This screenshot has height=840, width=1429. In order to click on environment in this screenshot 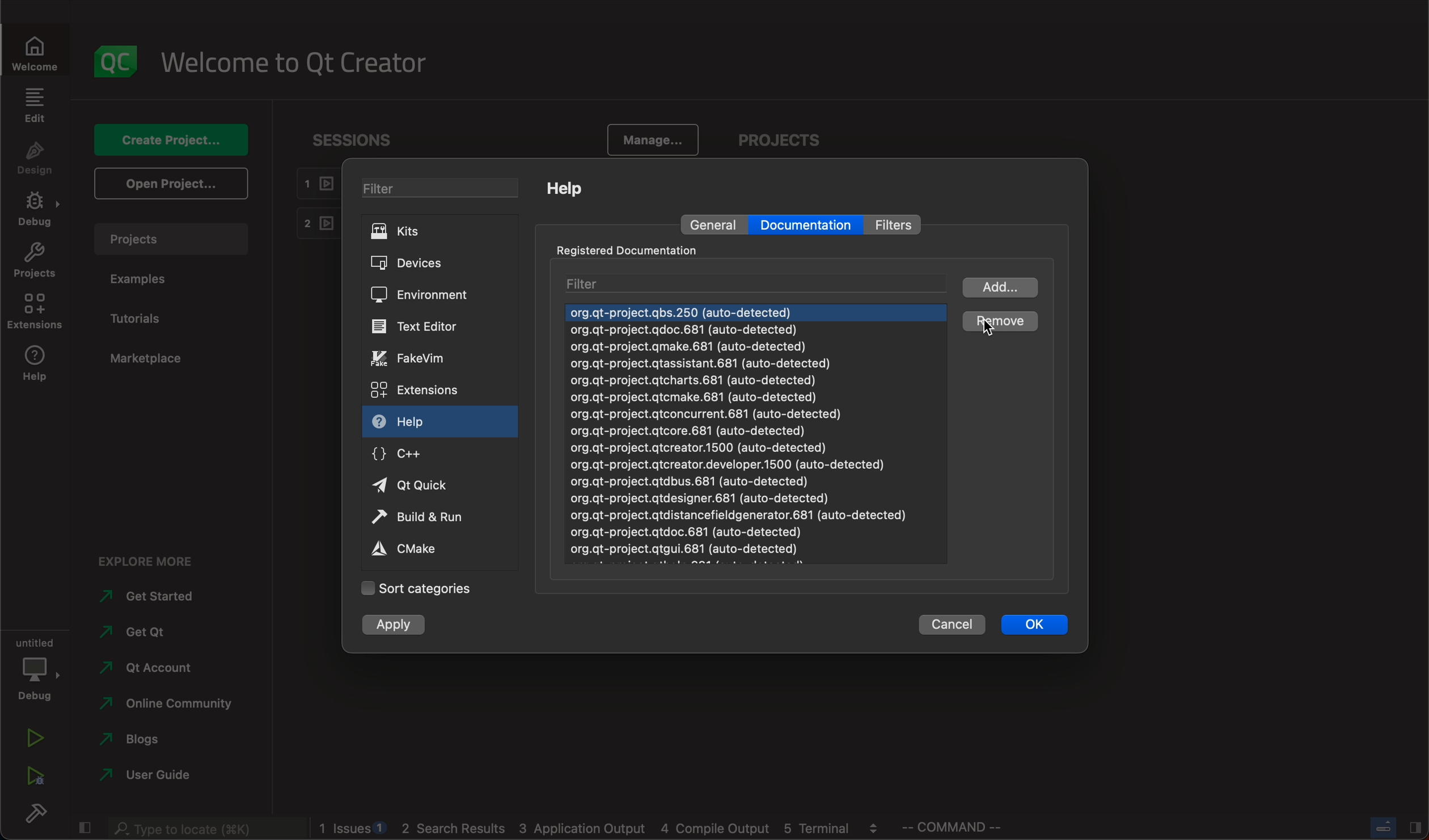, I will do `click(431, 294)`.